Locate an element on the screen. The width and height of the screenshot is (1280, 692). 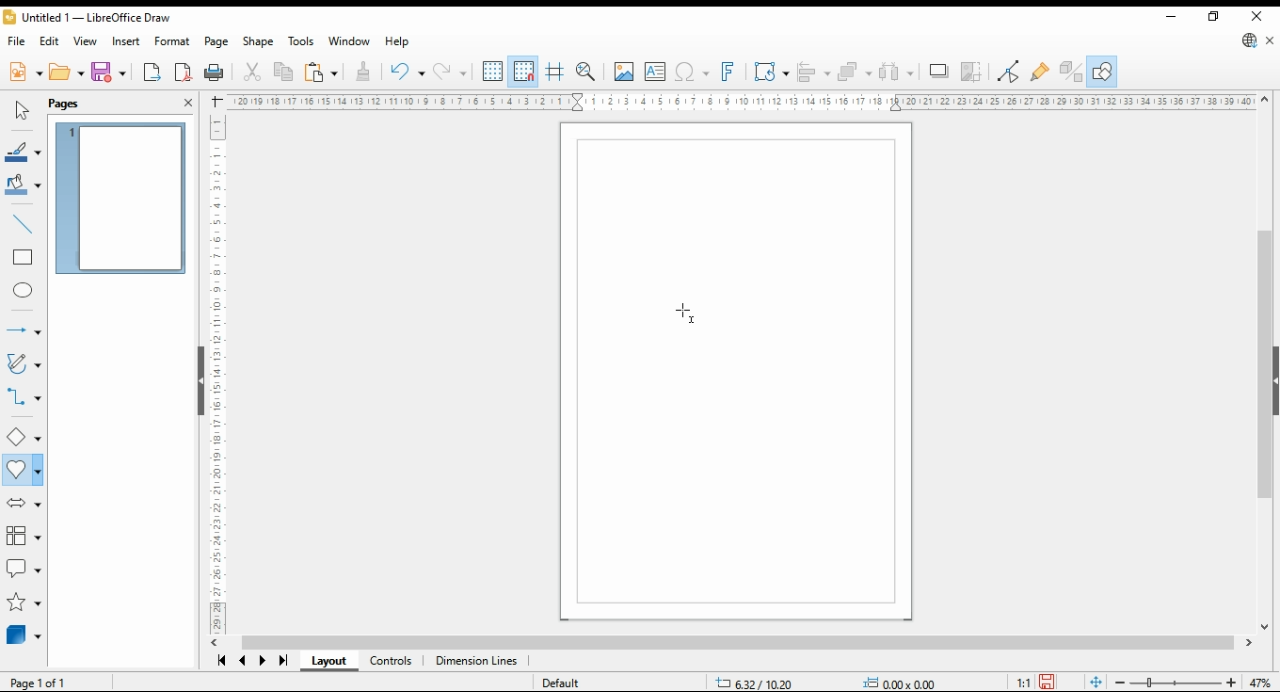
zoom slider is located at coordinates (1173, 681).